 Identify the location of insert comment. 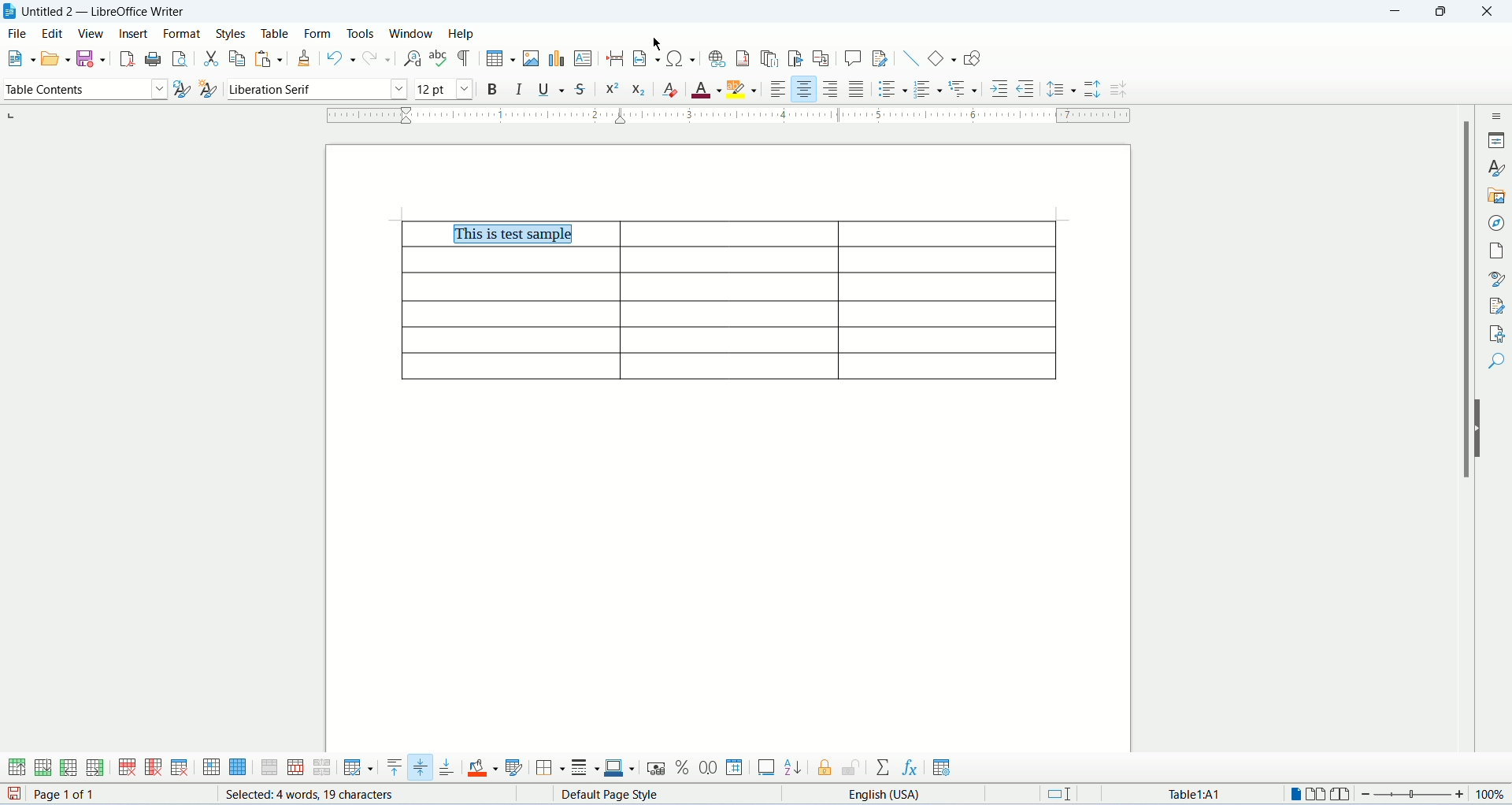
(851, 60).